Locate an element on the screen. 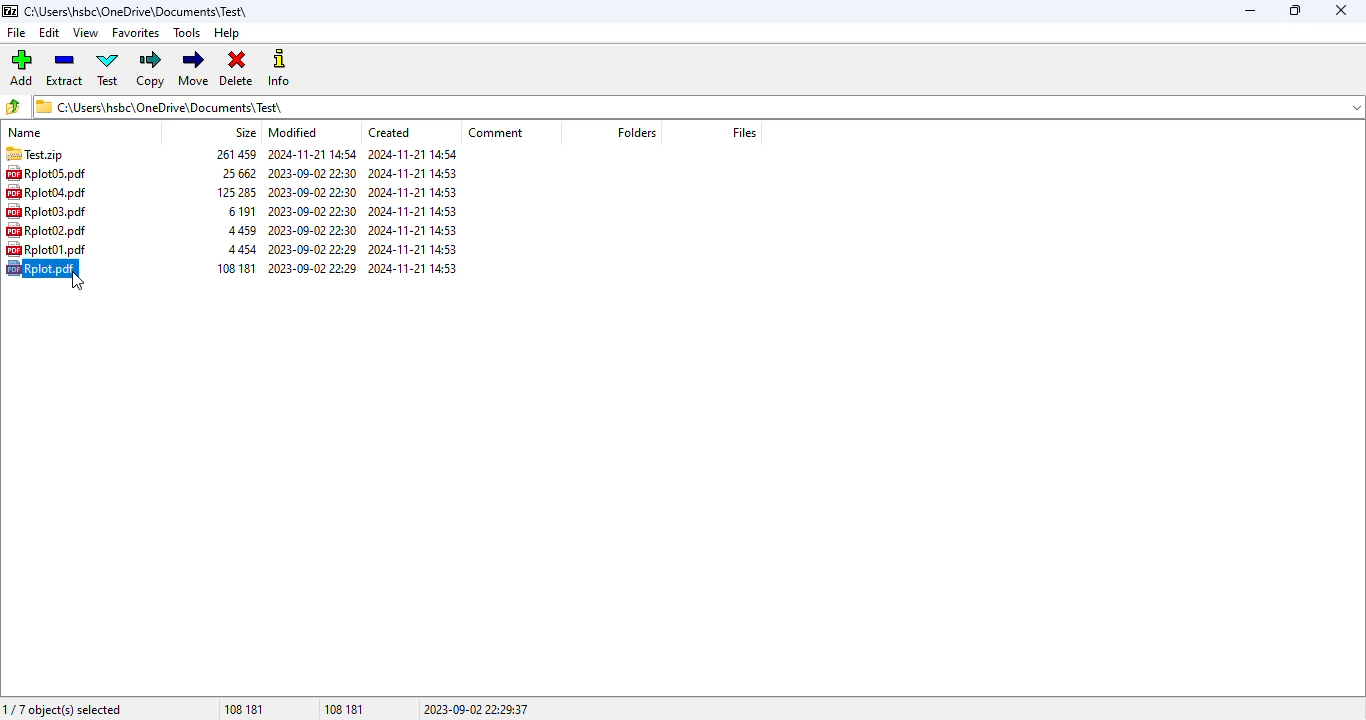 Image resolution: width=1366 pixels, height=720 pixels. 1/7 object(s) selected is located at coordinates (64, 709).